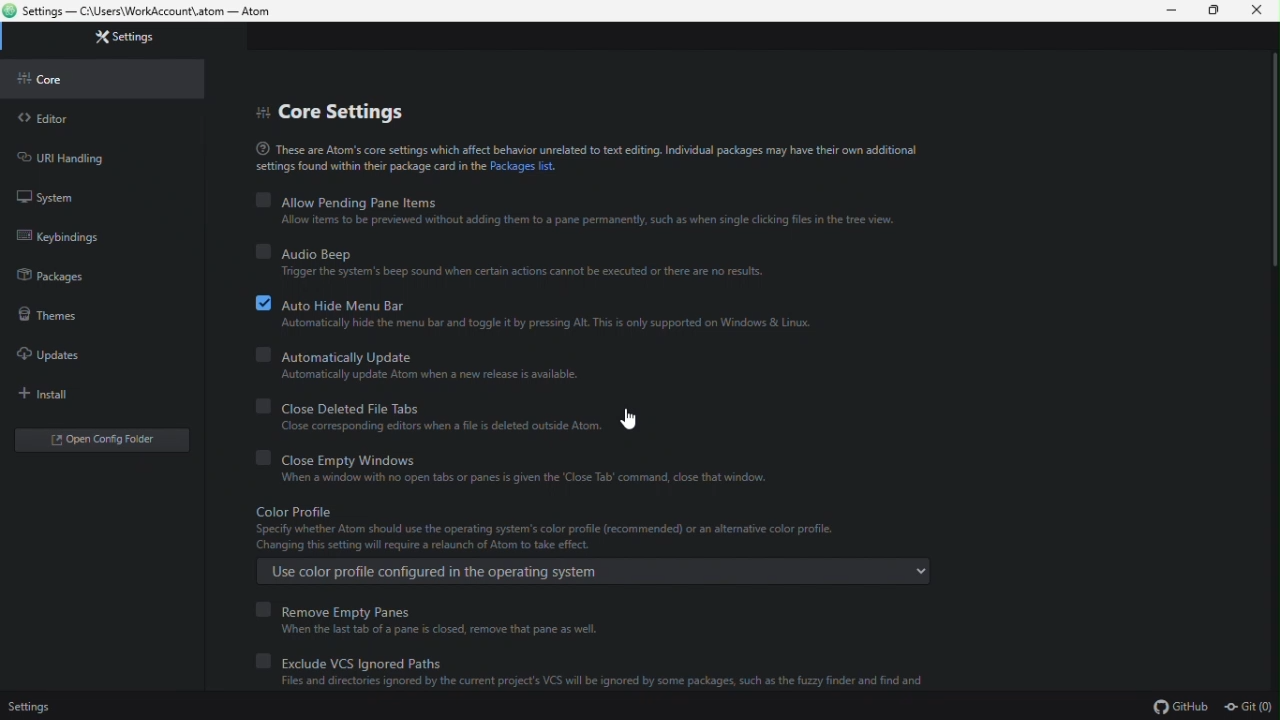  What do you see at coordinates (27, 707) in the screenshot?
I see `setings` at bounding box center [27, 707].